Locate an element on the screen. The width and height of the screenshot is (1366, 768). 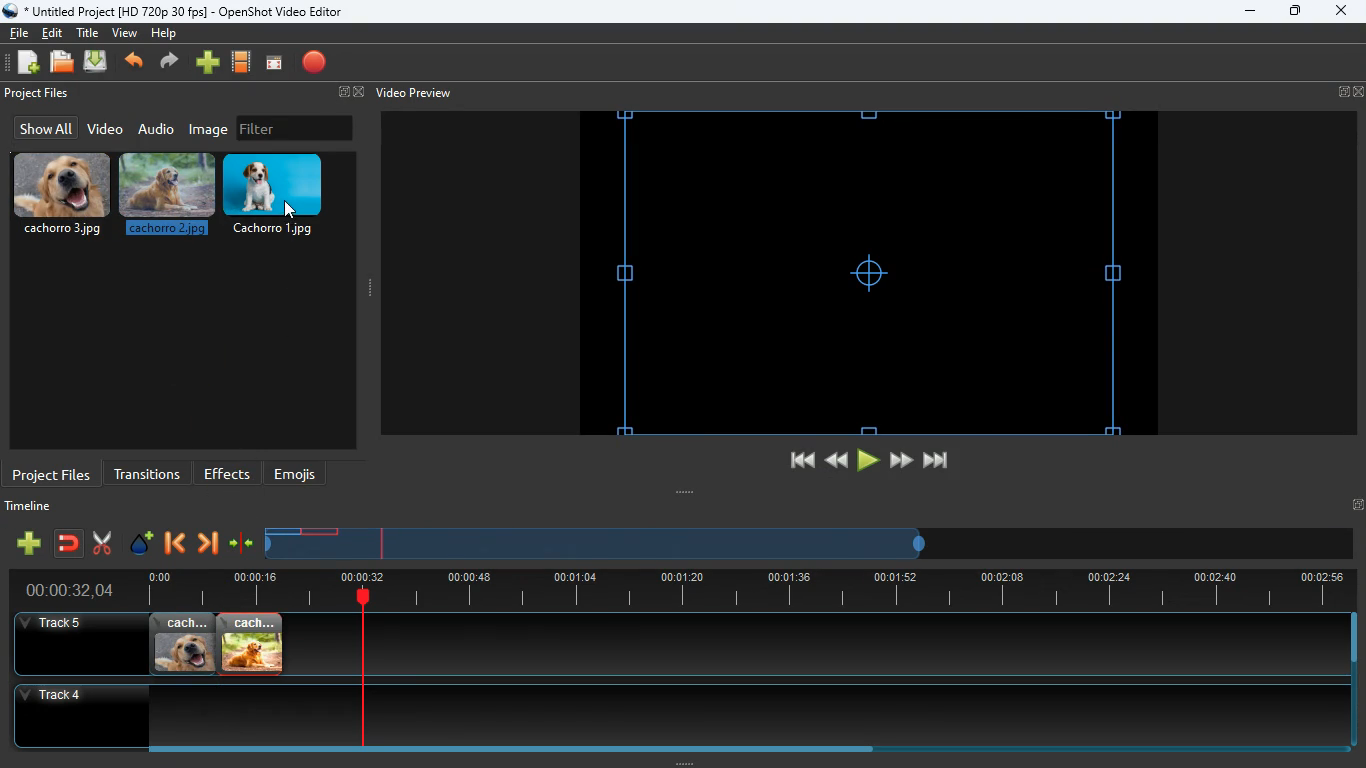
screen is located at coordinates (868, 273).